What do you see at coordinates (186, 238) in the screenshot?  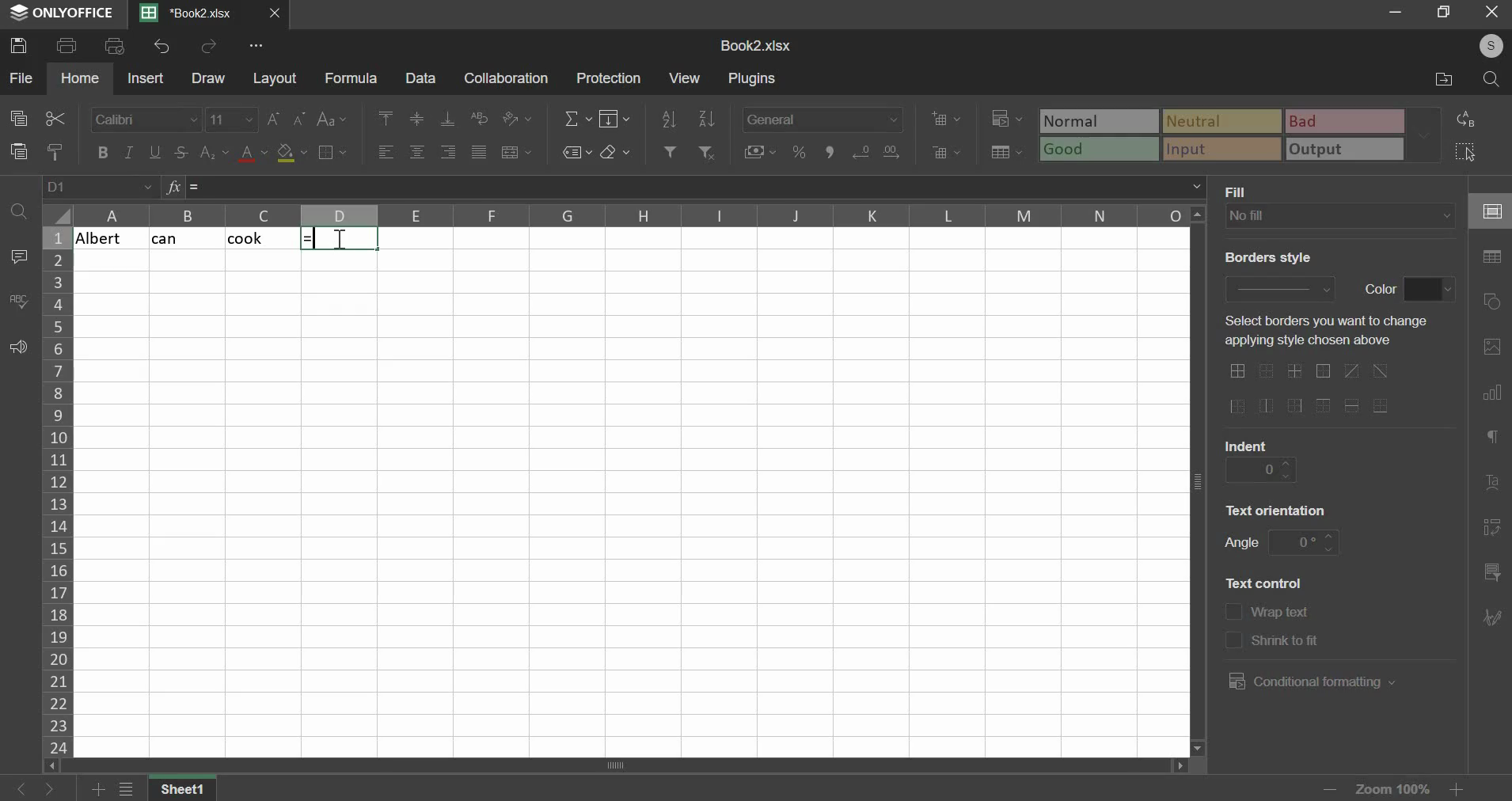 I see `cat` at bounding box center [186, 238].